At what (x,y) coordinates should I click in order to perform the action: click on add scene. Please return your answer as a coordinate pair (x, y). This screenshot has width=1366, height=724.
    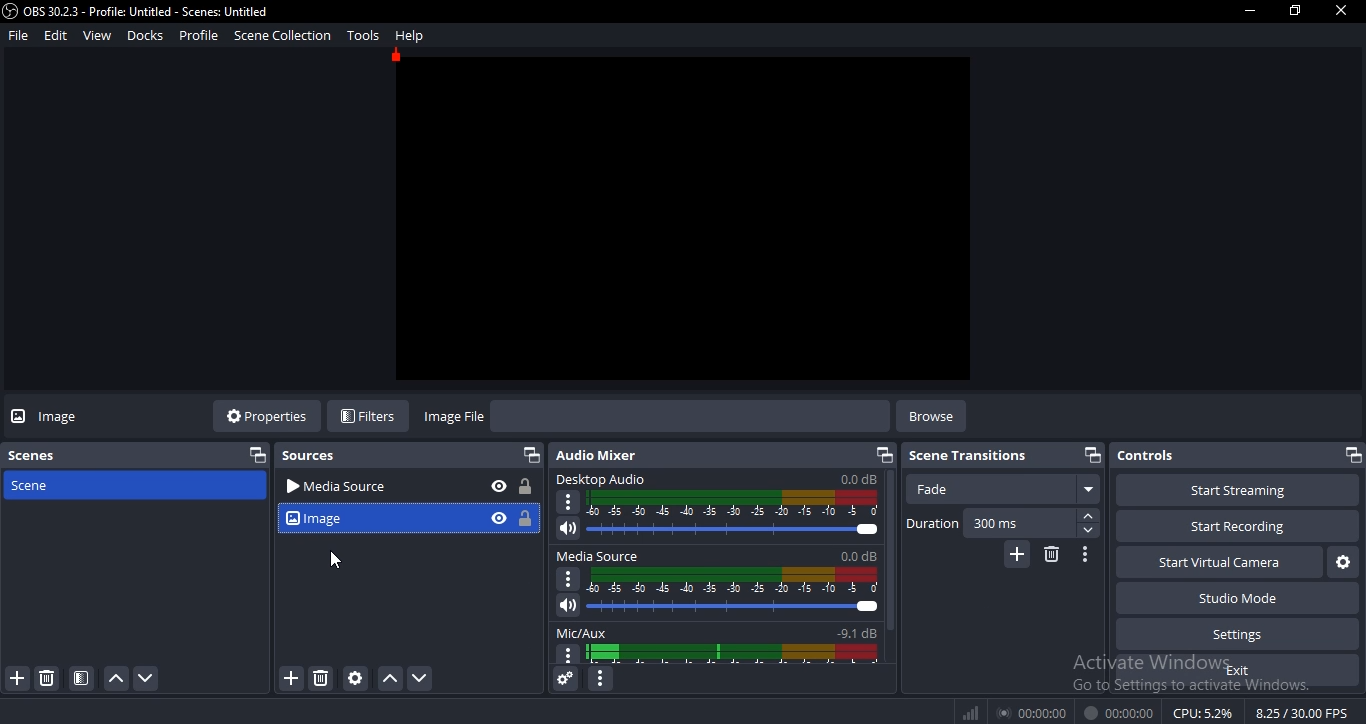
    Looking at the image, I should click on (16, 678).